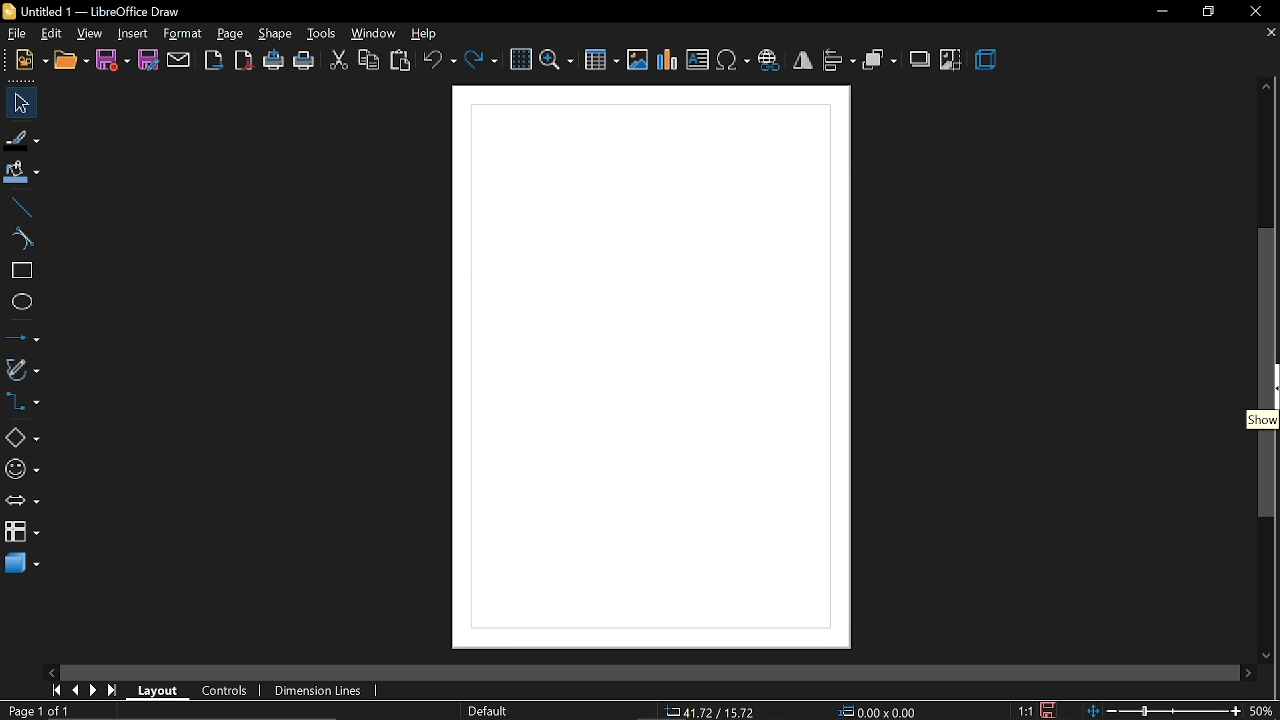  Describe the element at coordinates (950, 60) in the screenshot. I see `crop` at that location.